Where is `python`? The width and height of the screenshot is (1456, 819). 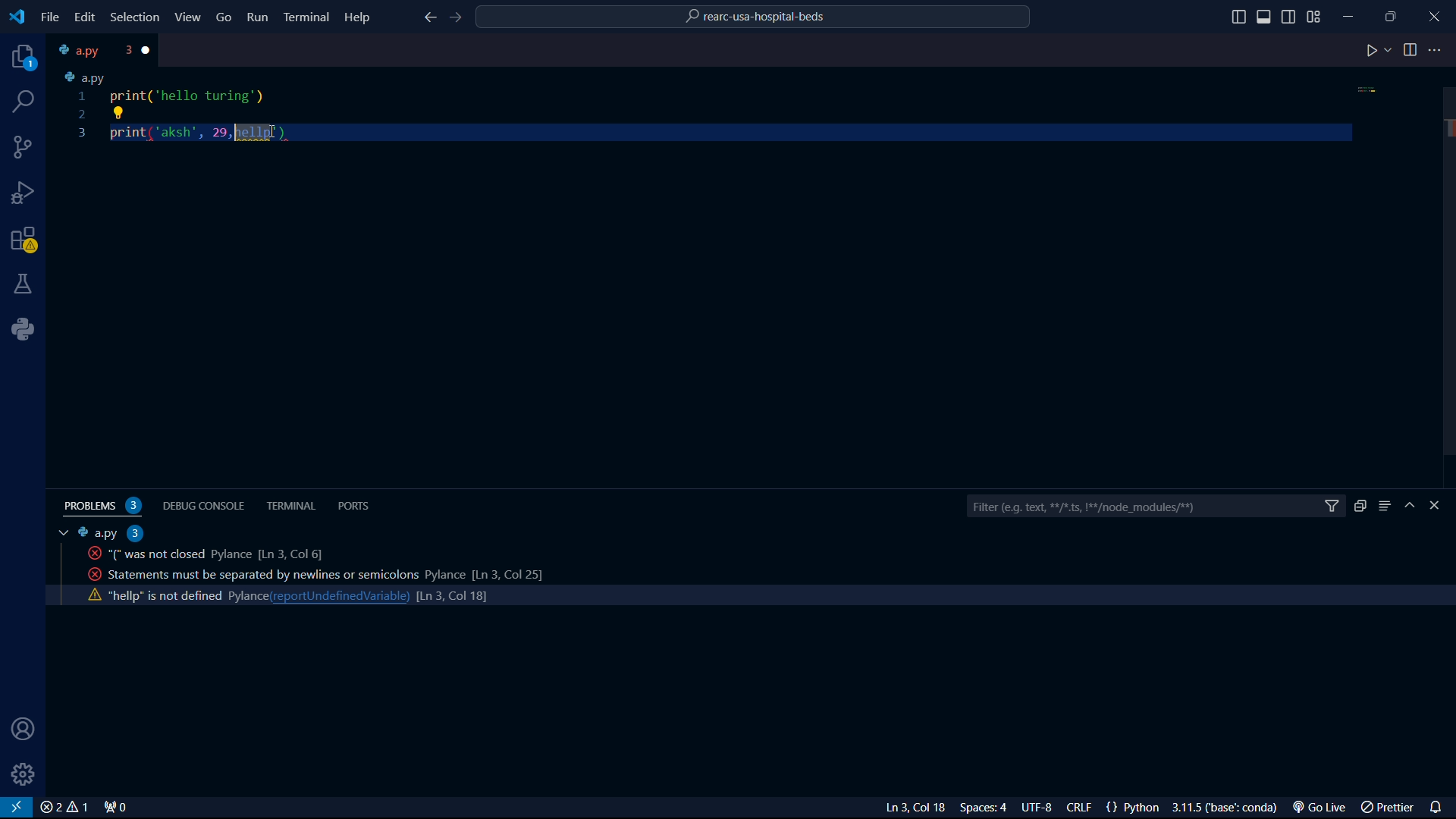
python is located at coordinates (28, 329).